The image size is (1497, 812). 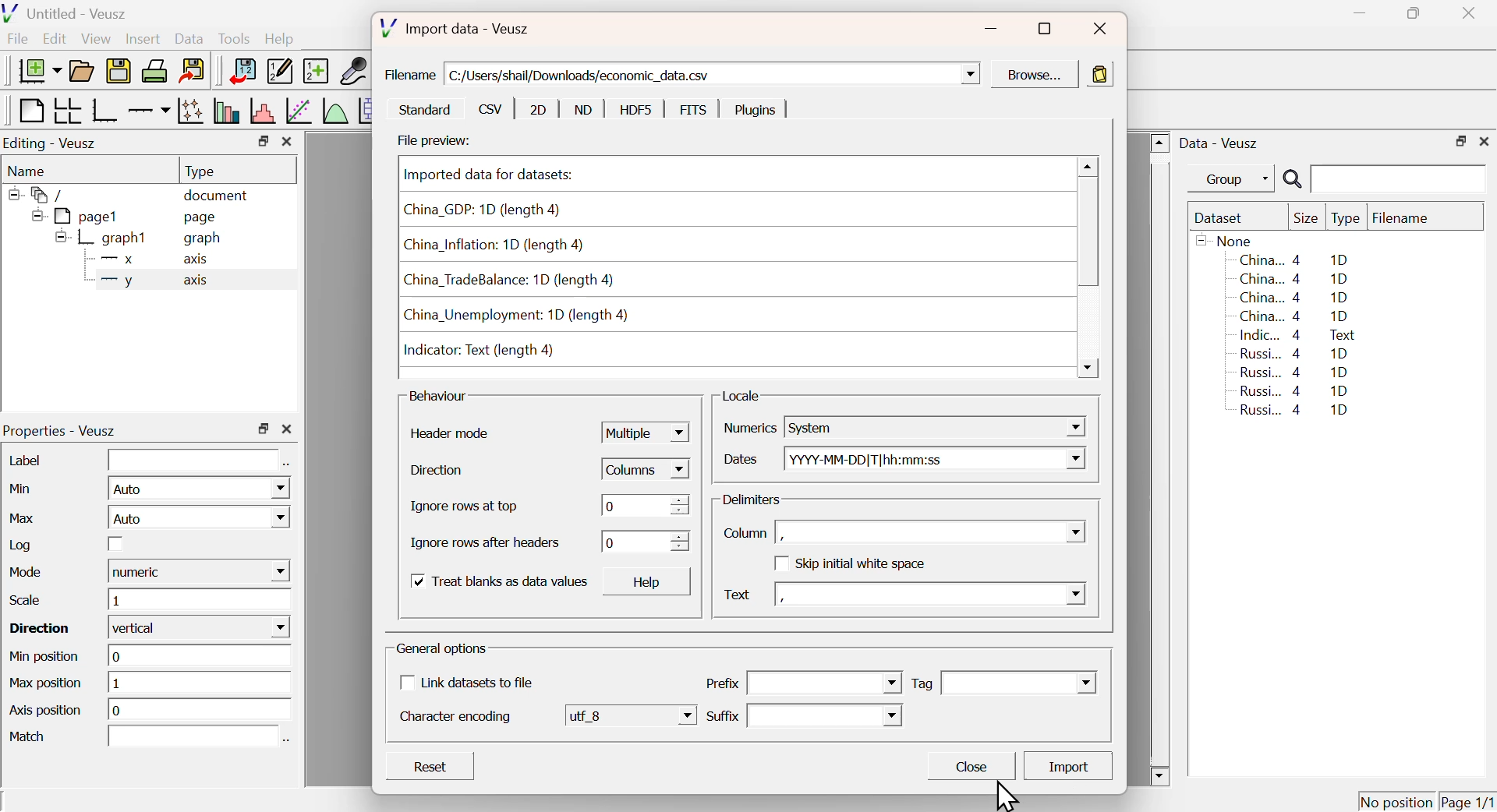 What do you see at coordinates (199, 518) in the screenshot?
I see `Auto` at bounding box center [199, 518].